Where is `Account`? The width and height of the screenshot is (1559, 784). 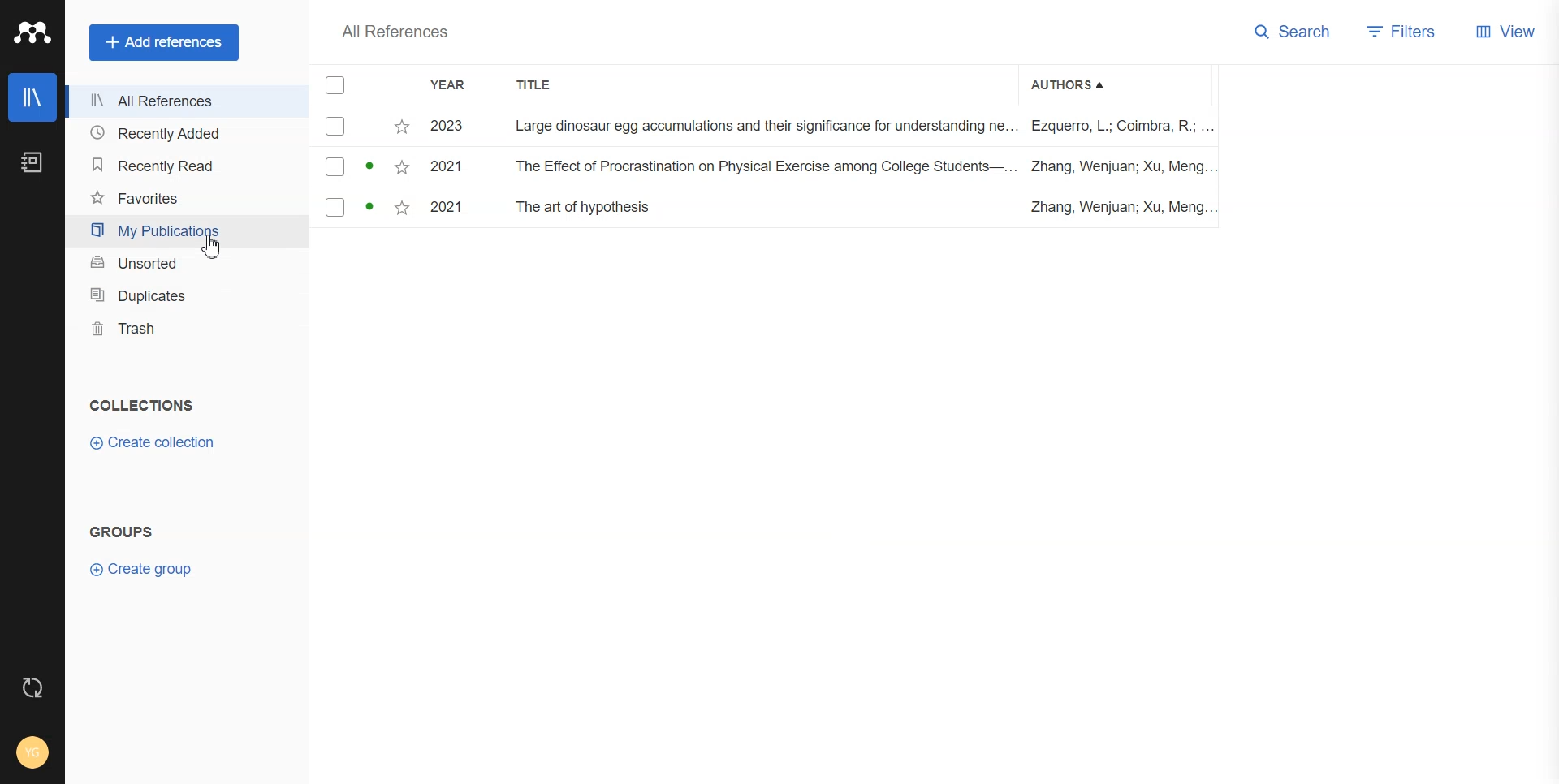
Account is located at coordinates (31, 752).